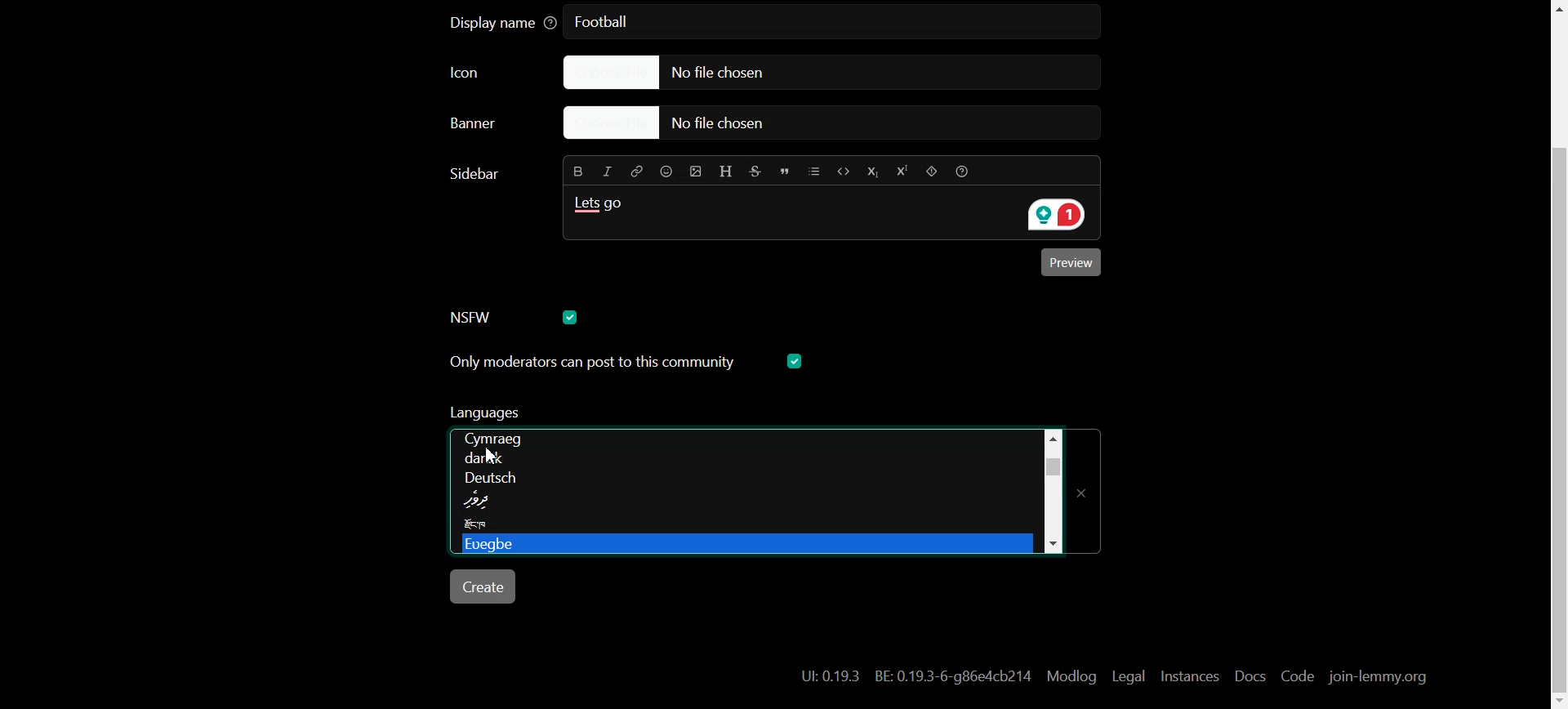 The image size is (1568, 709). What do you see at coordinates (842, 170) in the screenshot?
I see `Code` at bounding box center [842, 170].